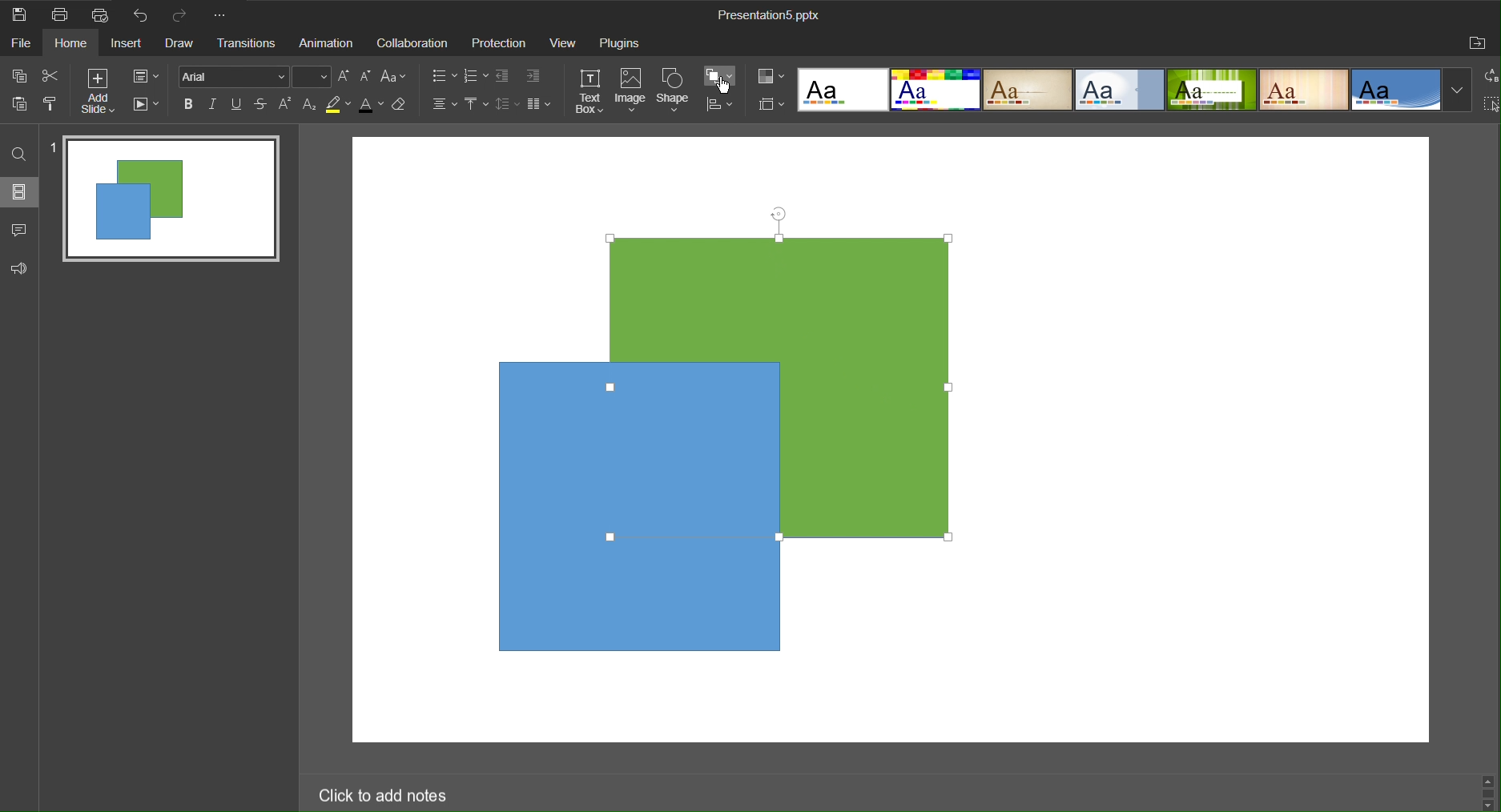 The height and width of the screenshot is (812, 1501). I want to click on Line Spacing, so click(509, 106).